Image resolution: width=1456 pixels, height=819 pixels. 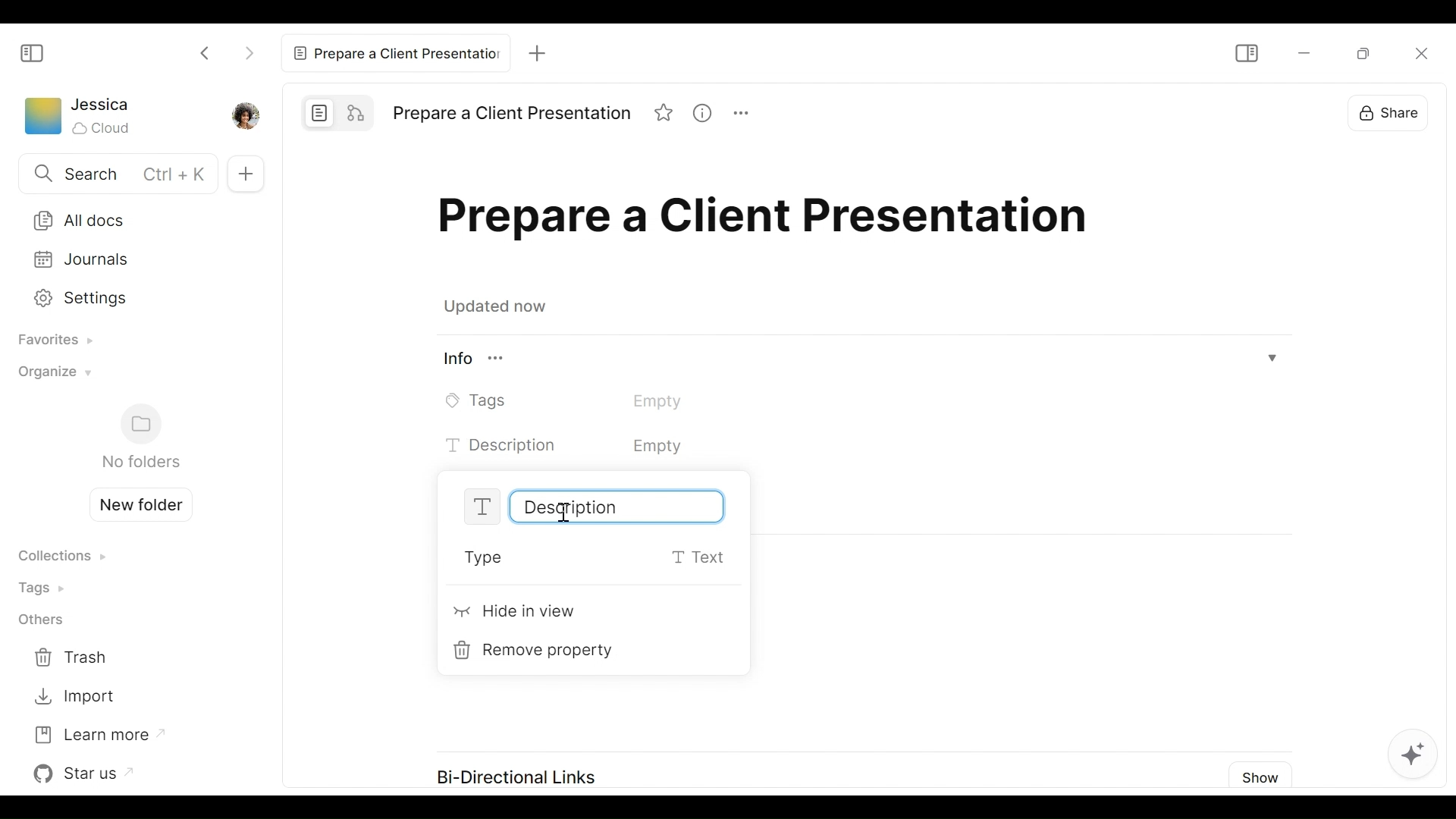 I want to click on Type, so click(x=598, y=558).